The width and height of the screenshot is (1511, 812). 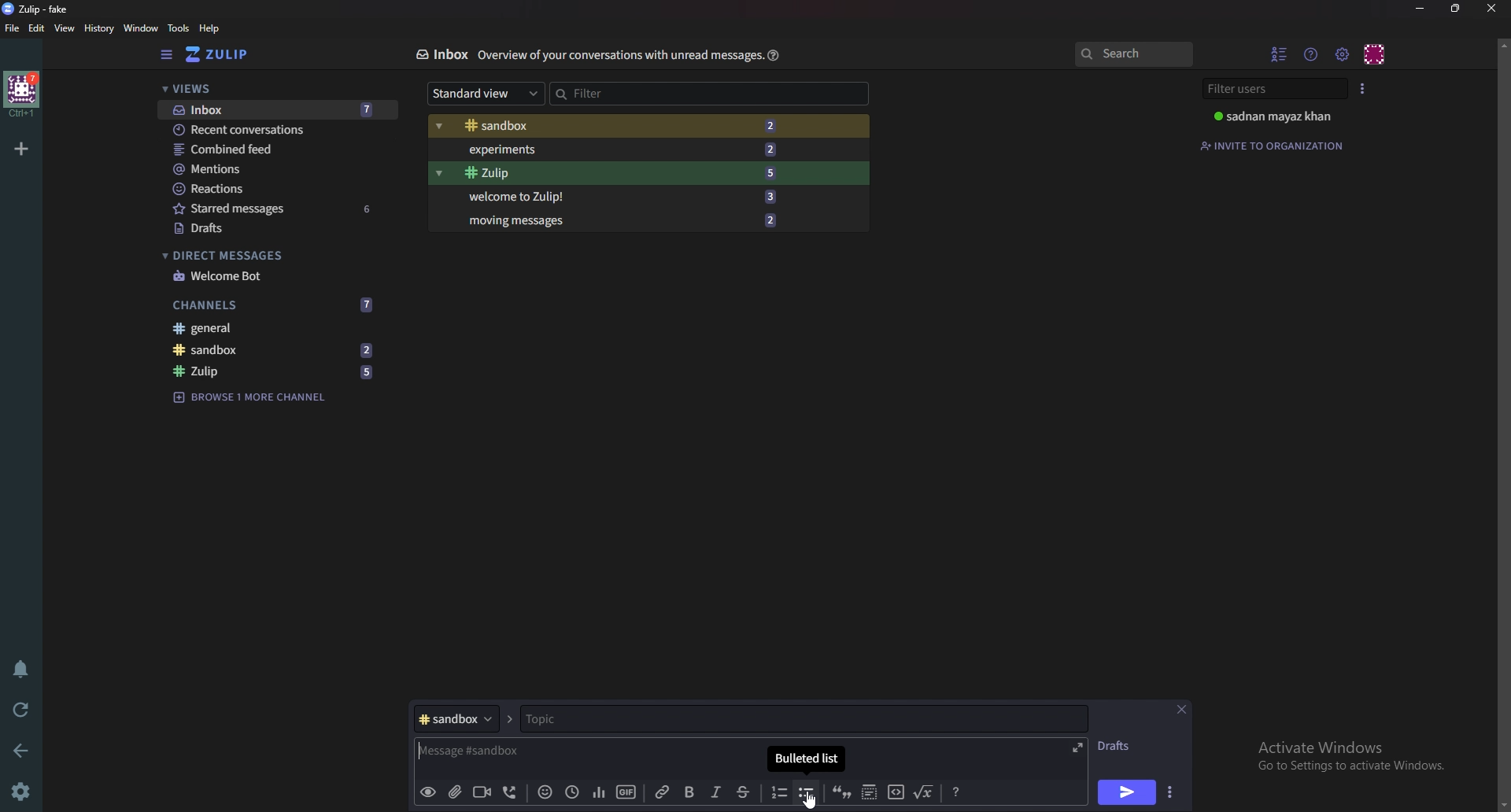 What do you see at coordinates (1502, 424) in the screenshot?
I see `Scroll bar` at bounding box center [1502, 424].